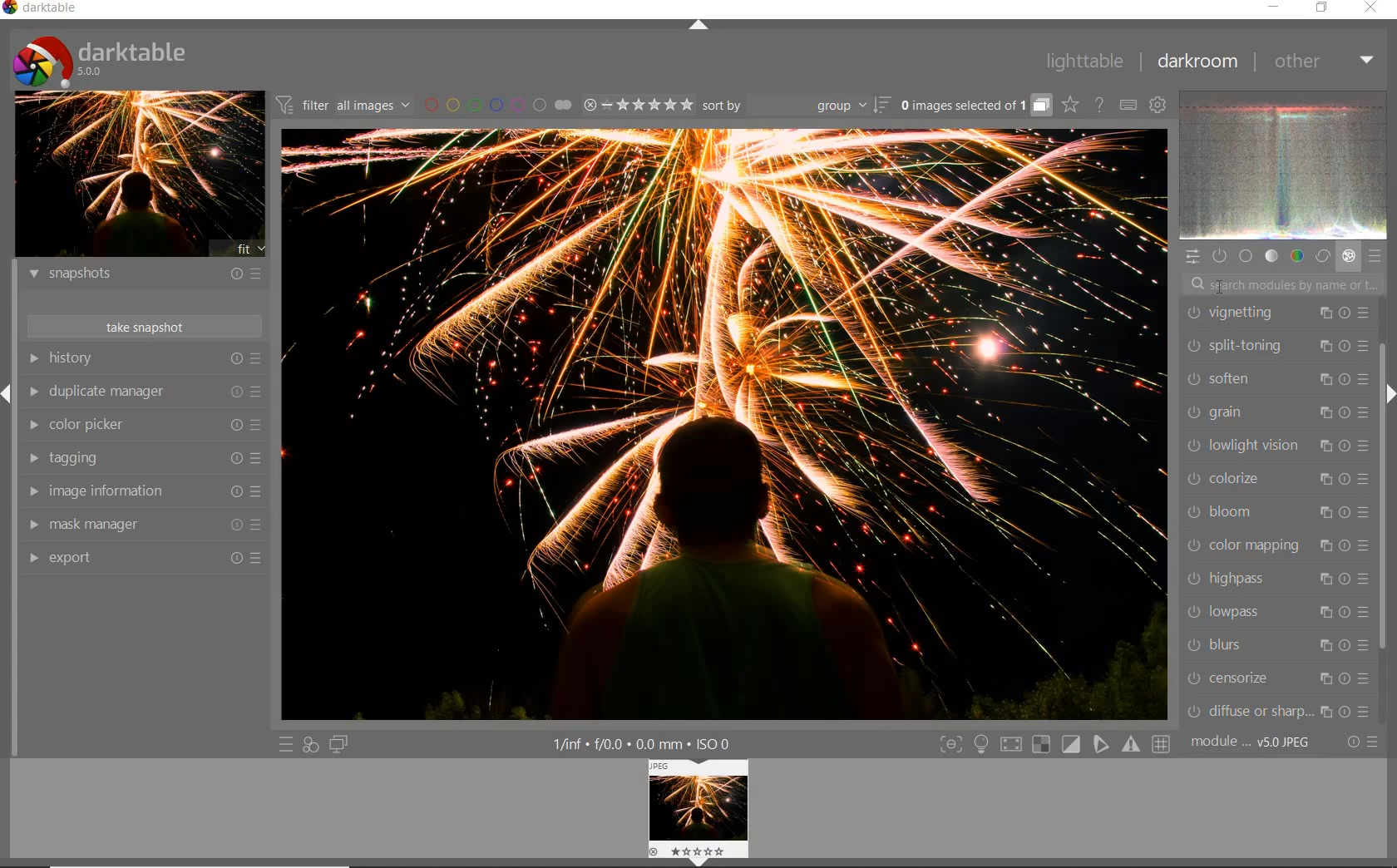 The image size is (1397, 868). I want to click on presets, so click(1376, 257).